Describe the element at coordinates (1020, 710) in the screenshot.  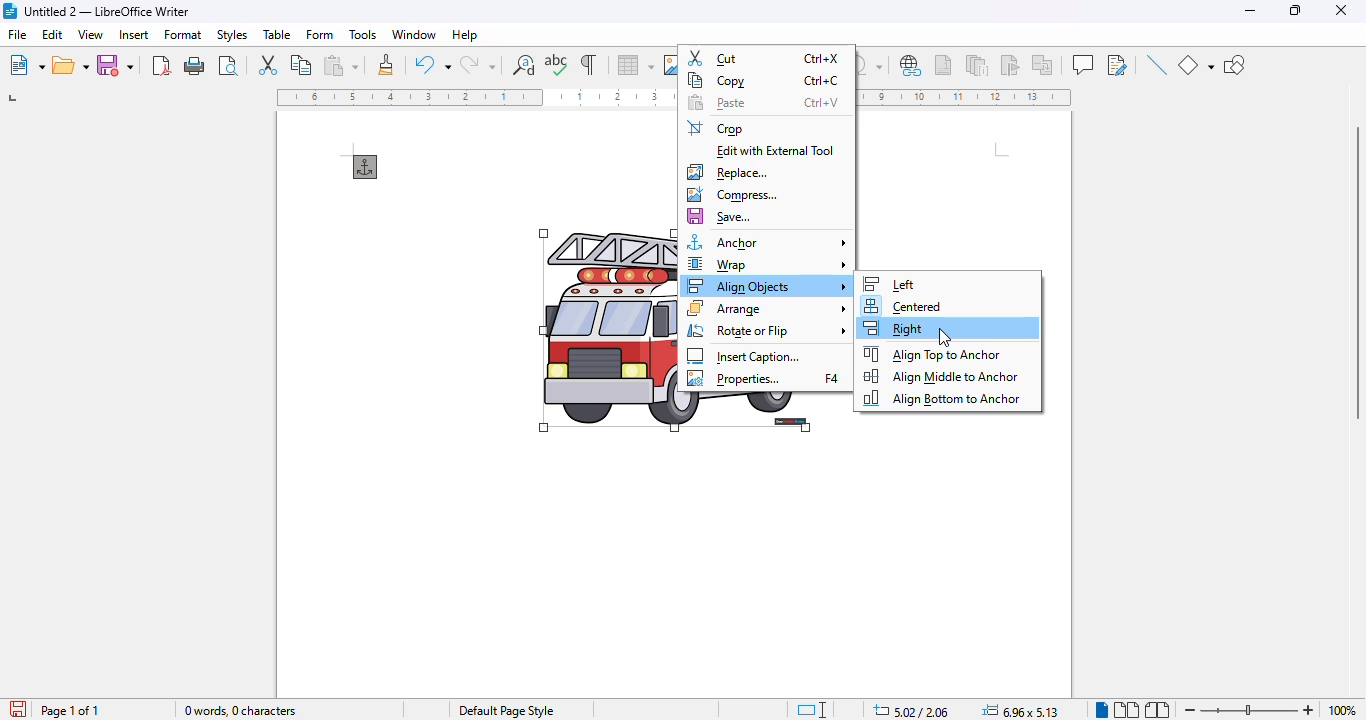
I see `width and height of object` at that location.